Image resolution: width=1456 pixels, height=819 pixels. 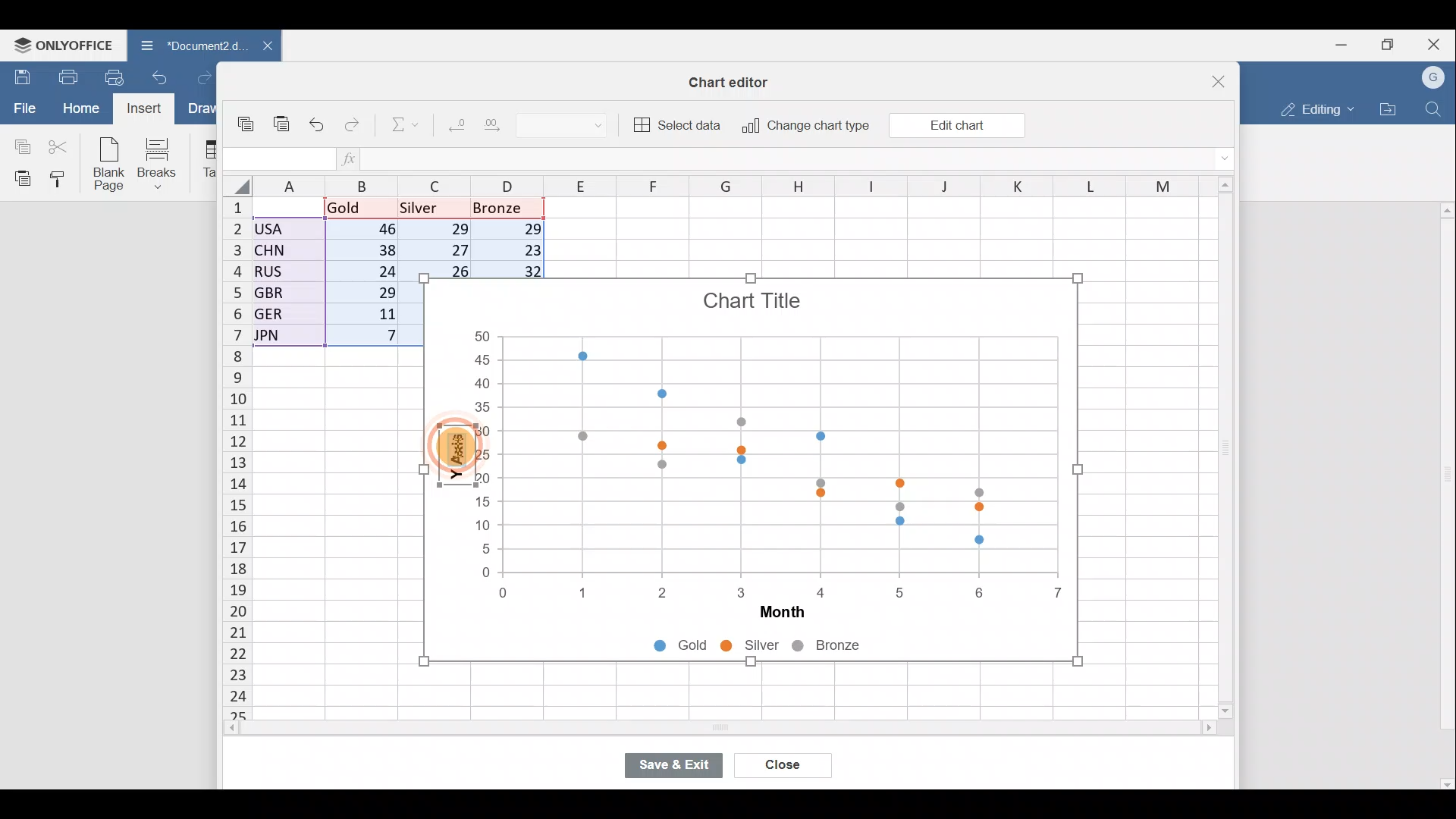 I want to click on Close, so click(x=783, y=763).